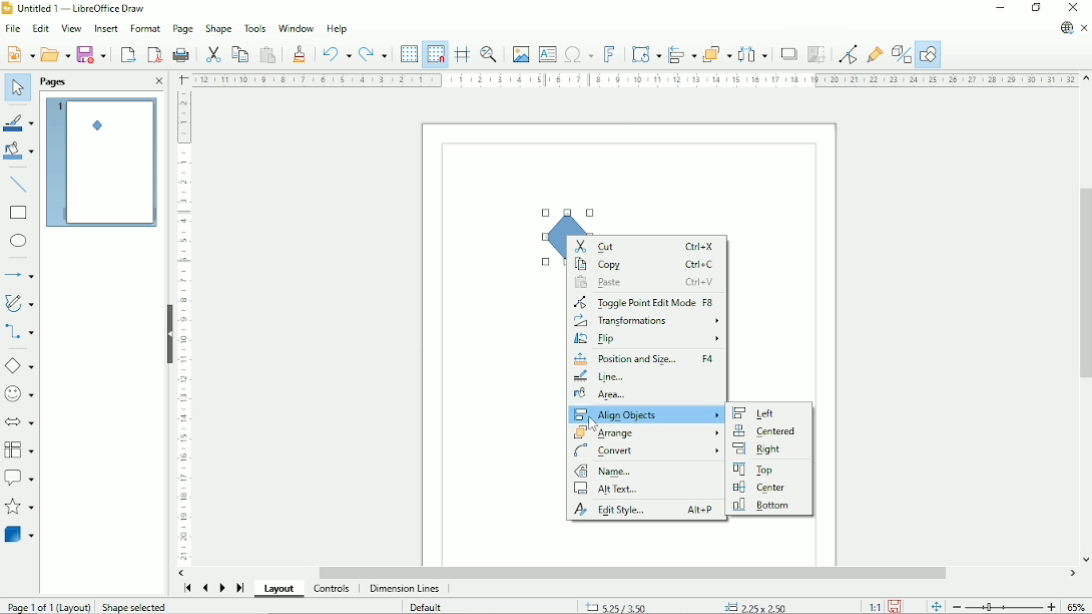 Image resolution: width=1092 pixels, height=614 pixels. Describe the element at coordinates (1036, 7) in the screenshot. I see `Restore down` at that location.